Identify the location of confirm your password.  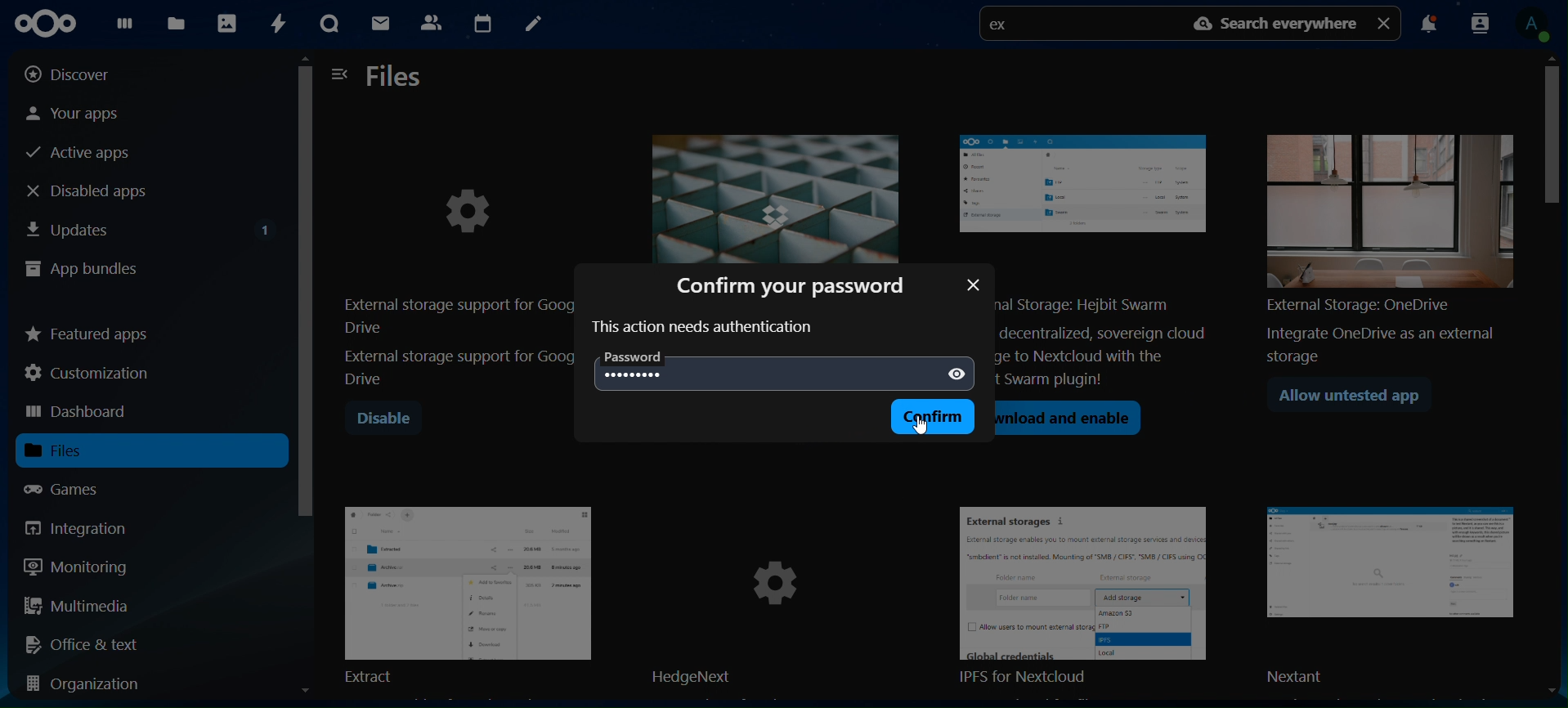
(797, 284).